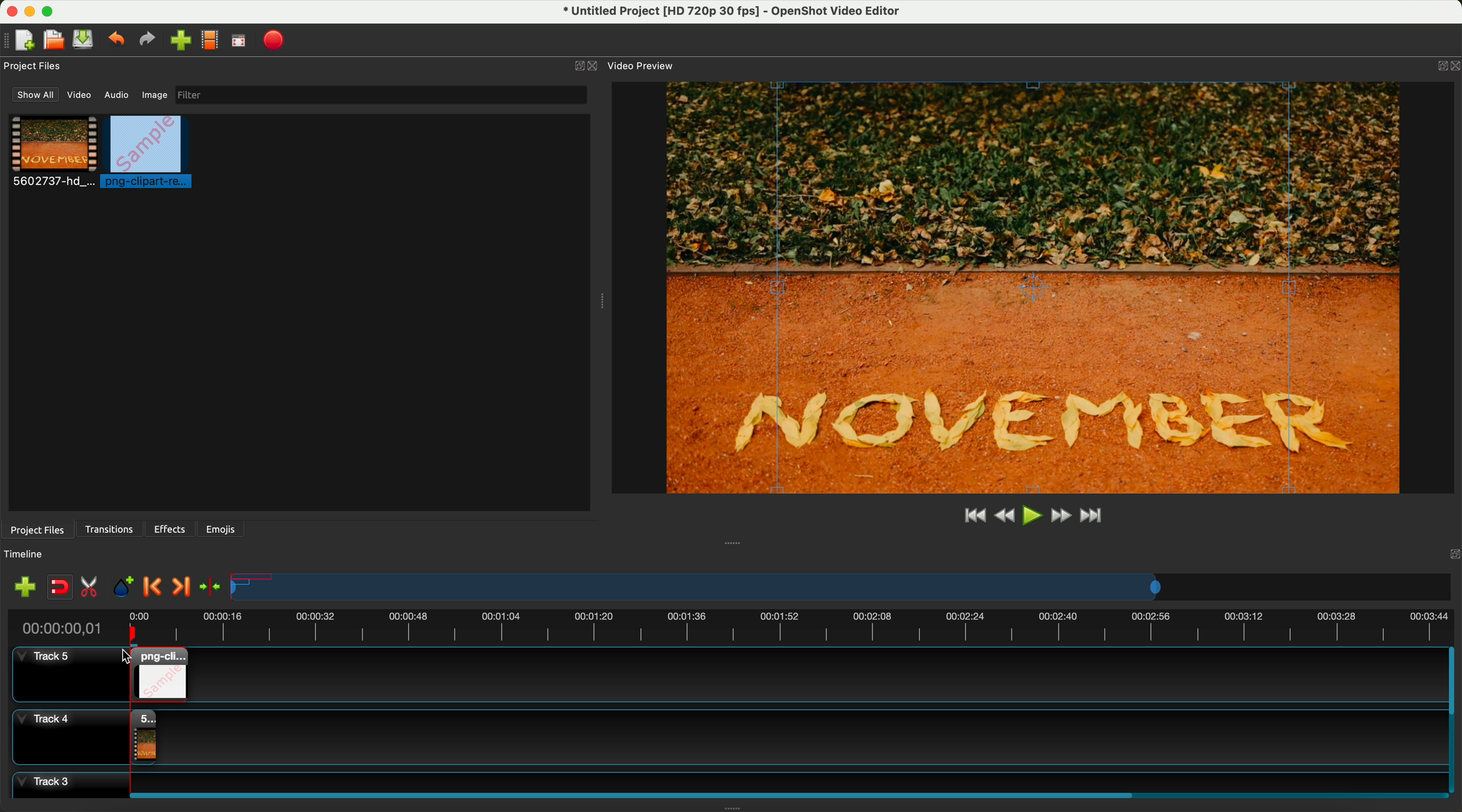  Describe the element at coordinates (240, 43) in the screenshot. I see `full screen` at that location.